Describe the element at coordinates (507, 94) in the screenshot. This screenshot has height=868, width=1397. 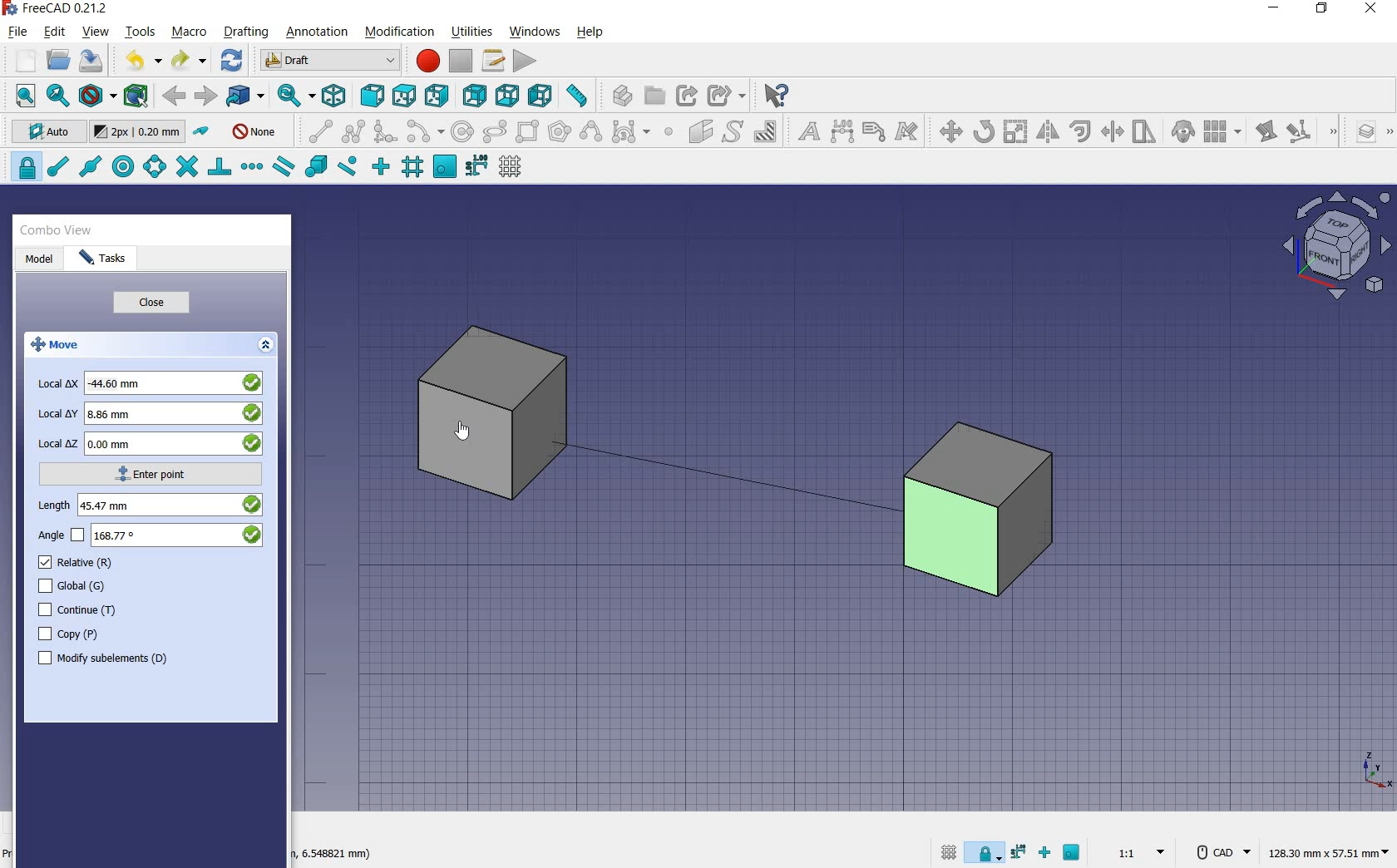
I see `bottom` at that location.